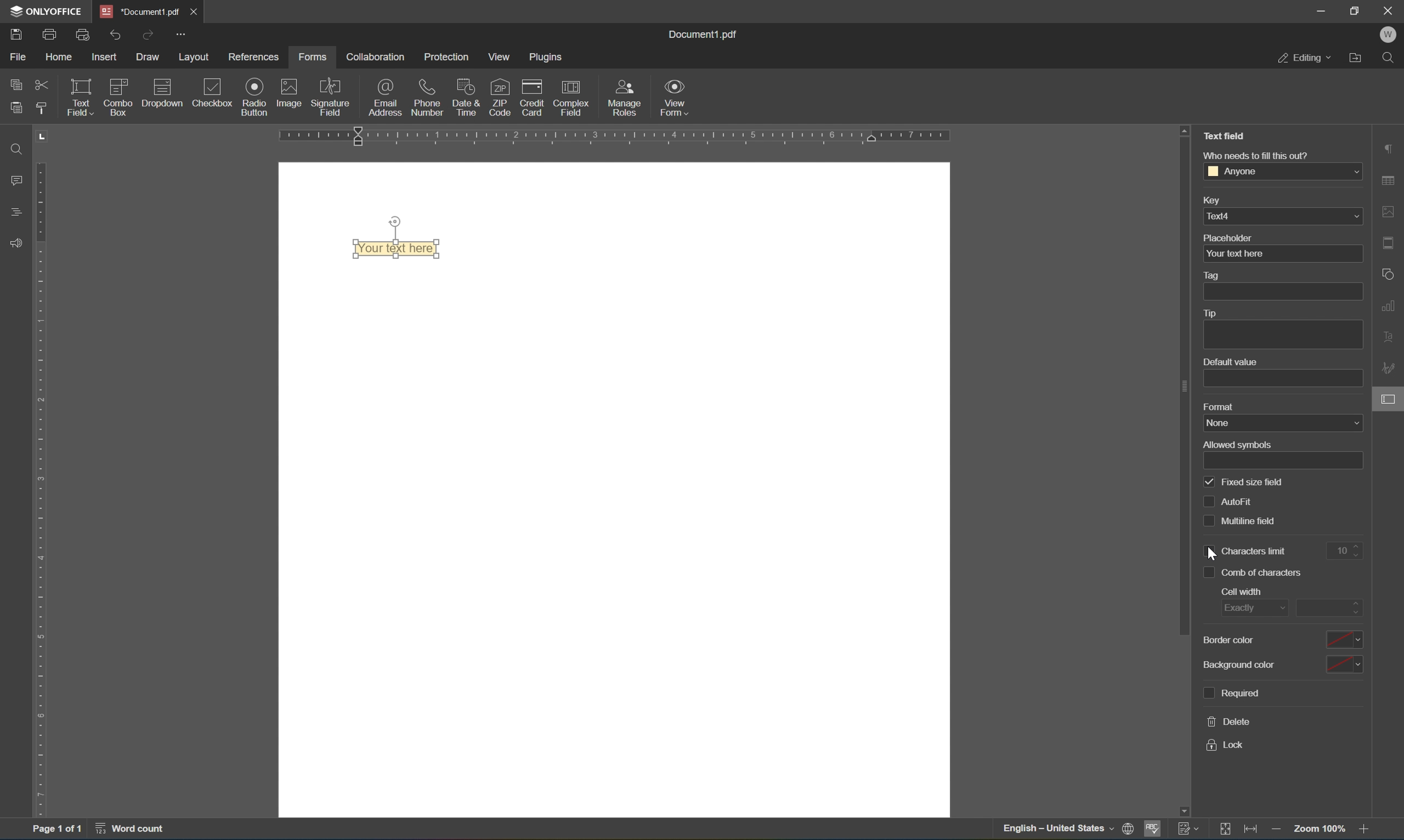  What do you see at coordinates (1226, 237) in the screenshot?
I see `placeholder` at bounding box center [1226, 237].